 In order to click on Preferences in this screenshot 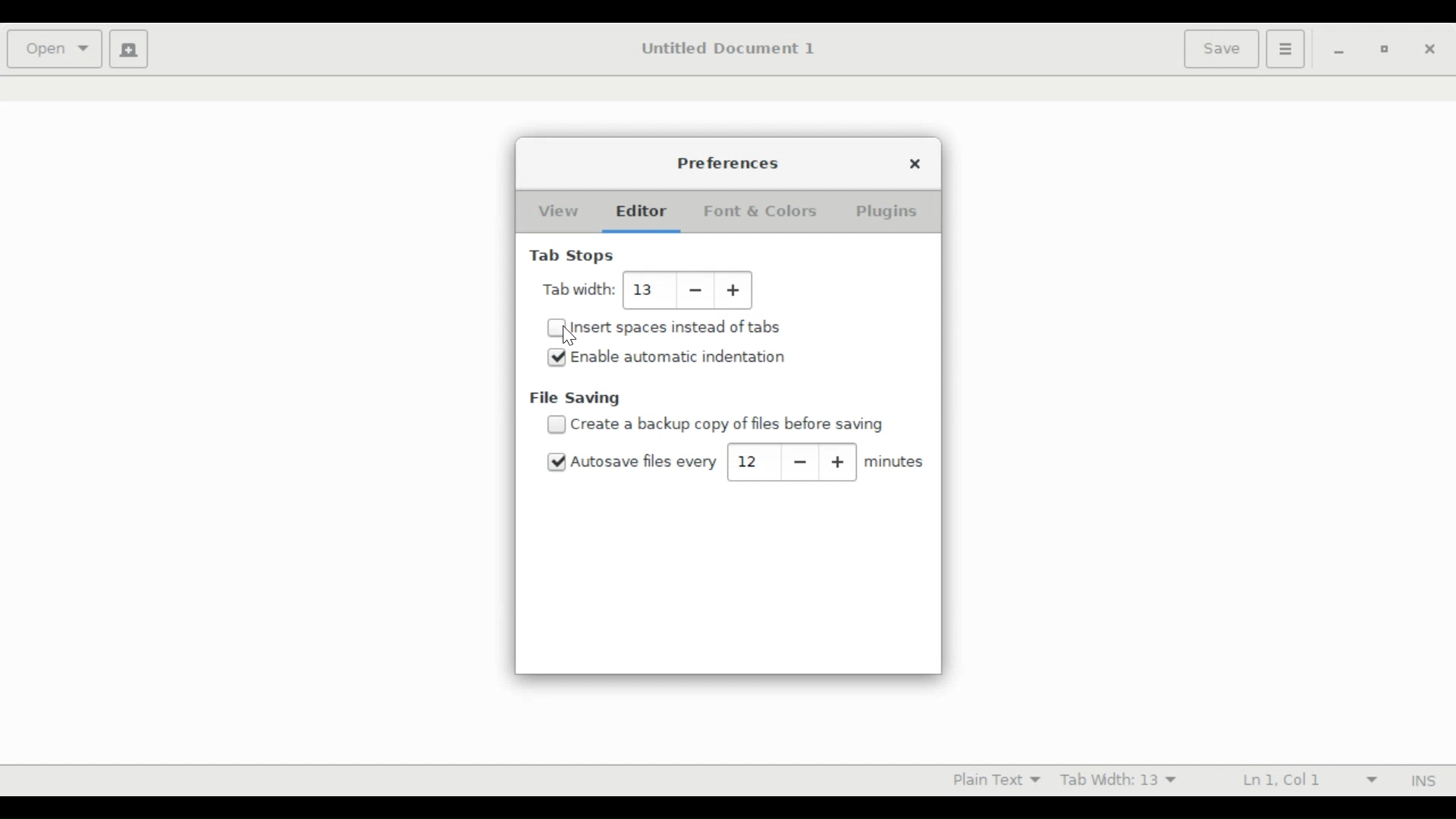, I will do `click(729, 162)`.